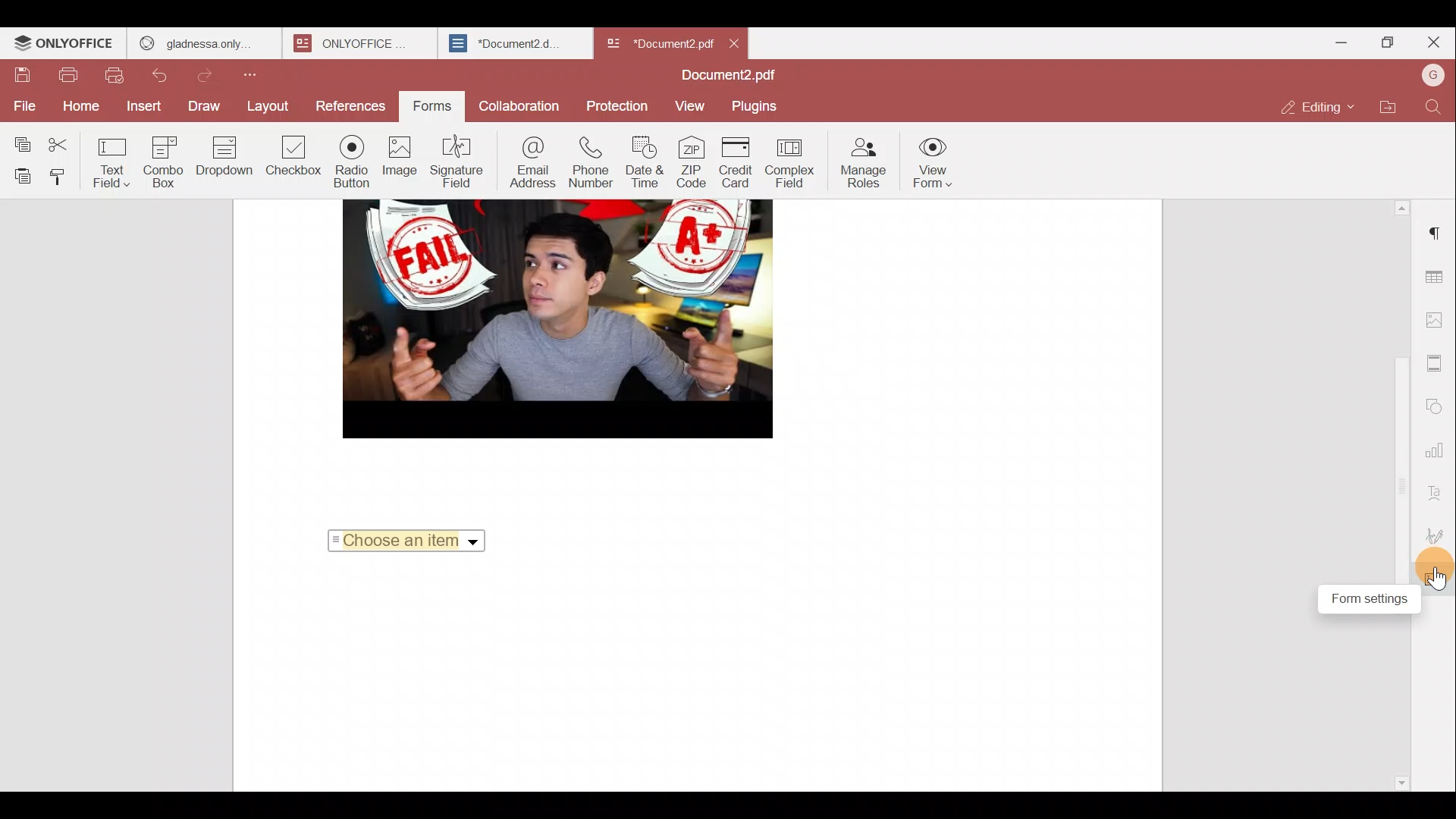 The height and width of the screenshot is (819, 1456). What do you see at coordinates (738, 162) in the screenshot?
I see `Credit card` at bounding box center [738, 162].